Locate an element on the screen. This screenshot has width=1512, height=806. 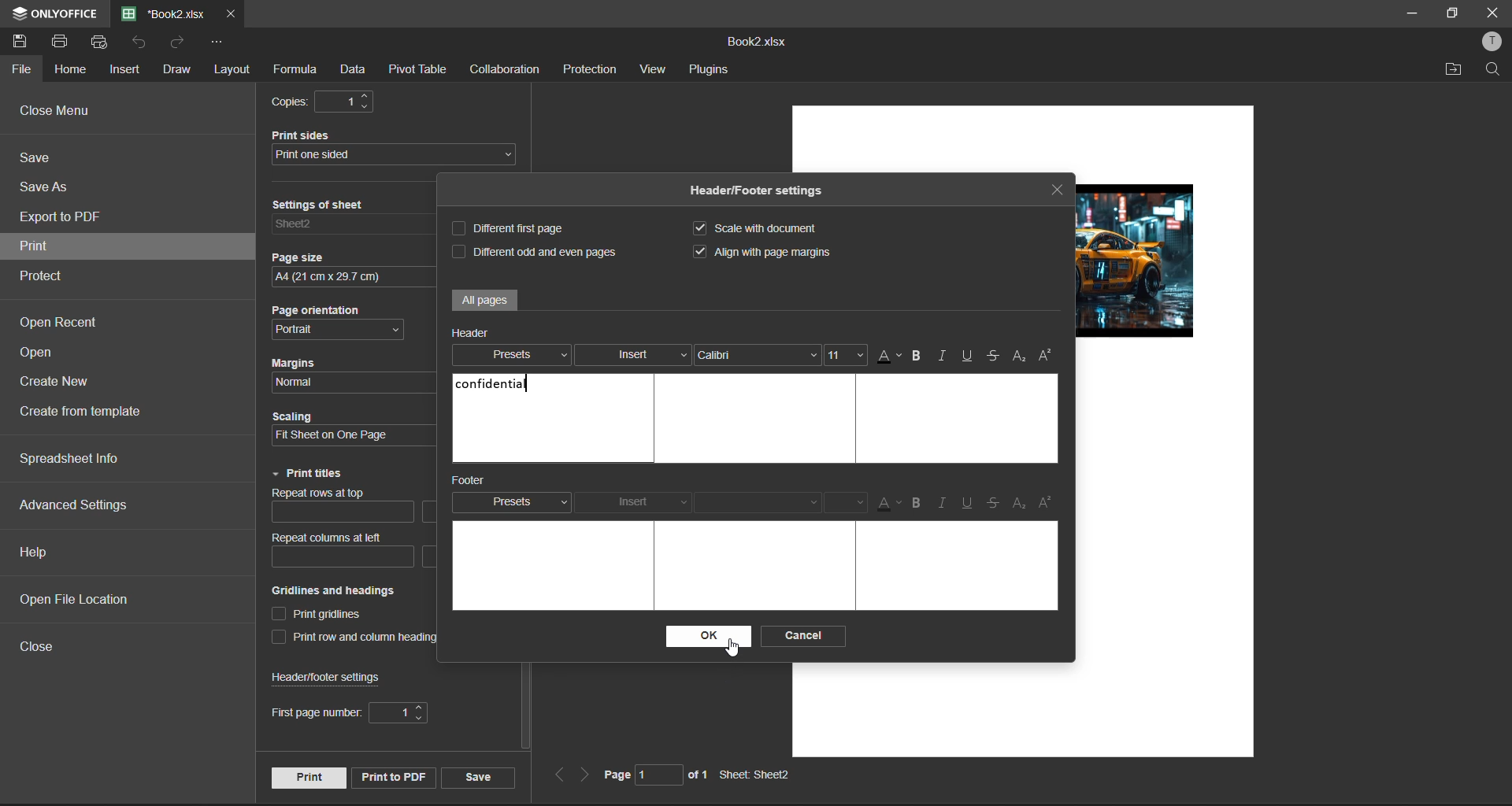
different odd and even pages is located at coordinates (533, 250).